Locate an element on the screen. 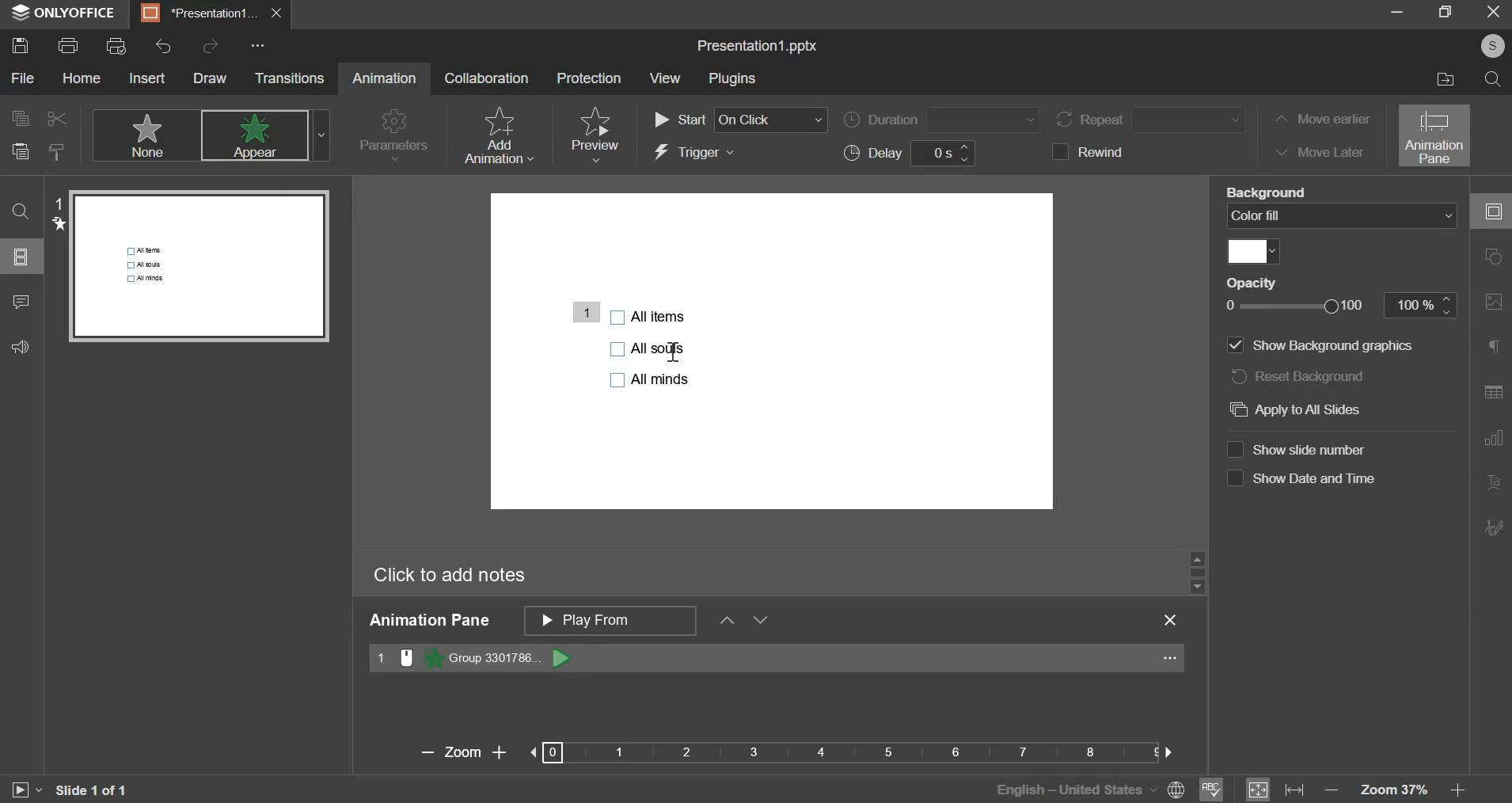  click to add notes is located at coordinates (450, 576).